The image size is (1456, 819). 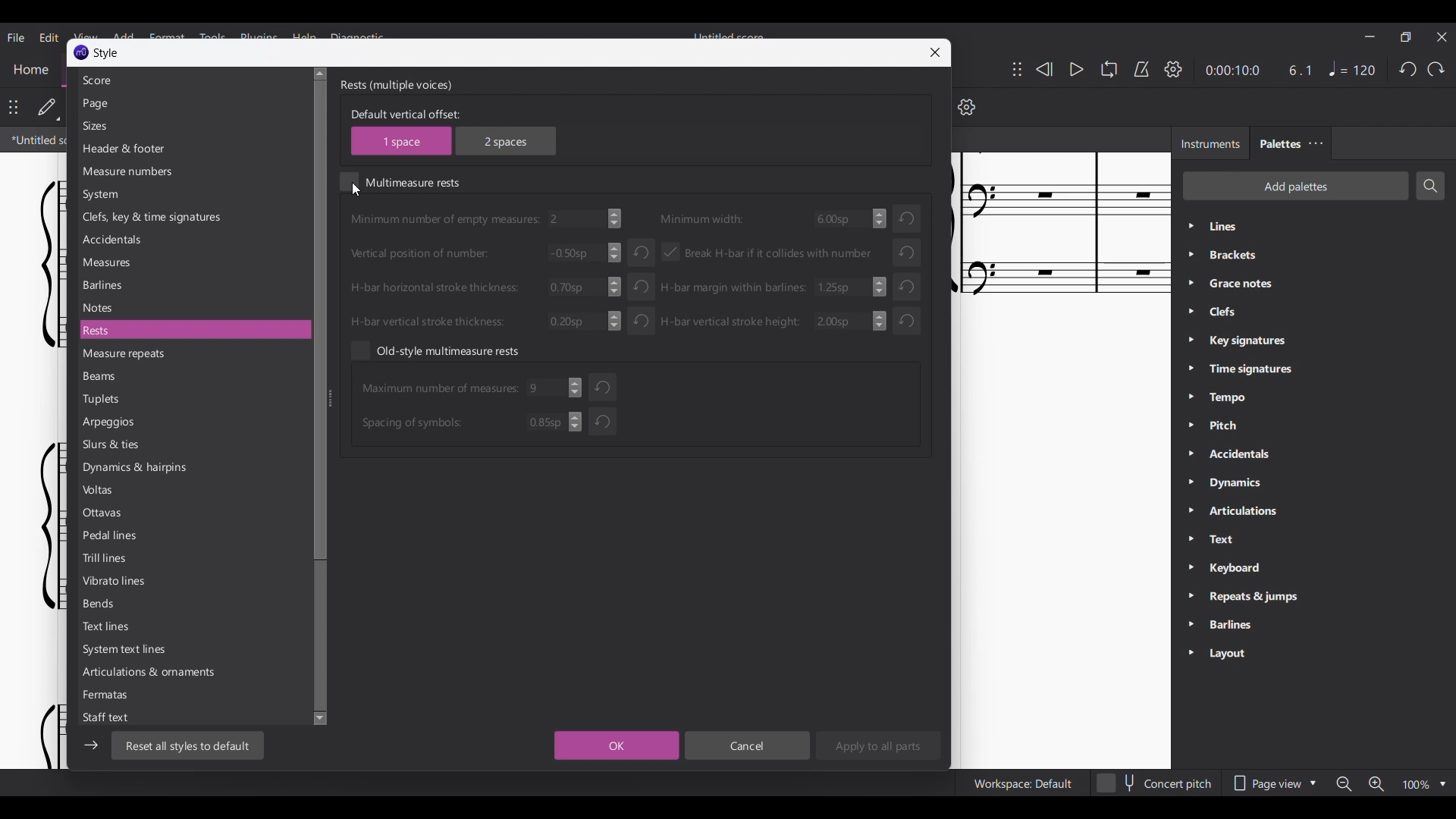 What do you see at coordinates (192, 717) in the screenshot?
I see `Staff text` at bounding box center [192, 717].